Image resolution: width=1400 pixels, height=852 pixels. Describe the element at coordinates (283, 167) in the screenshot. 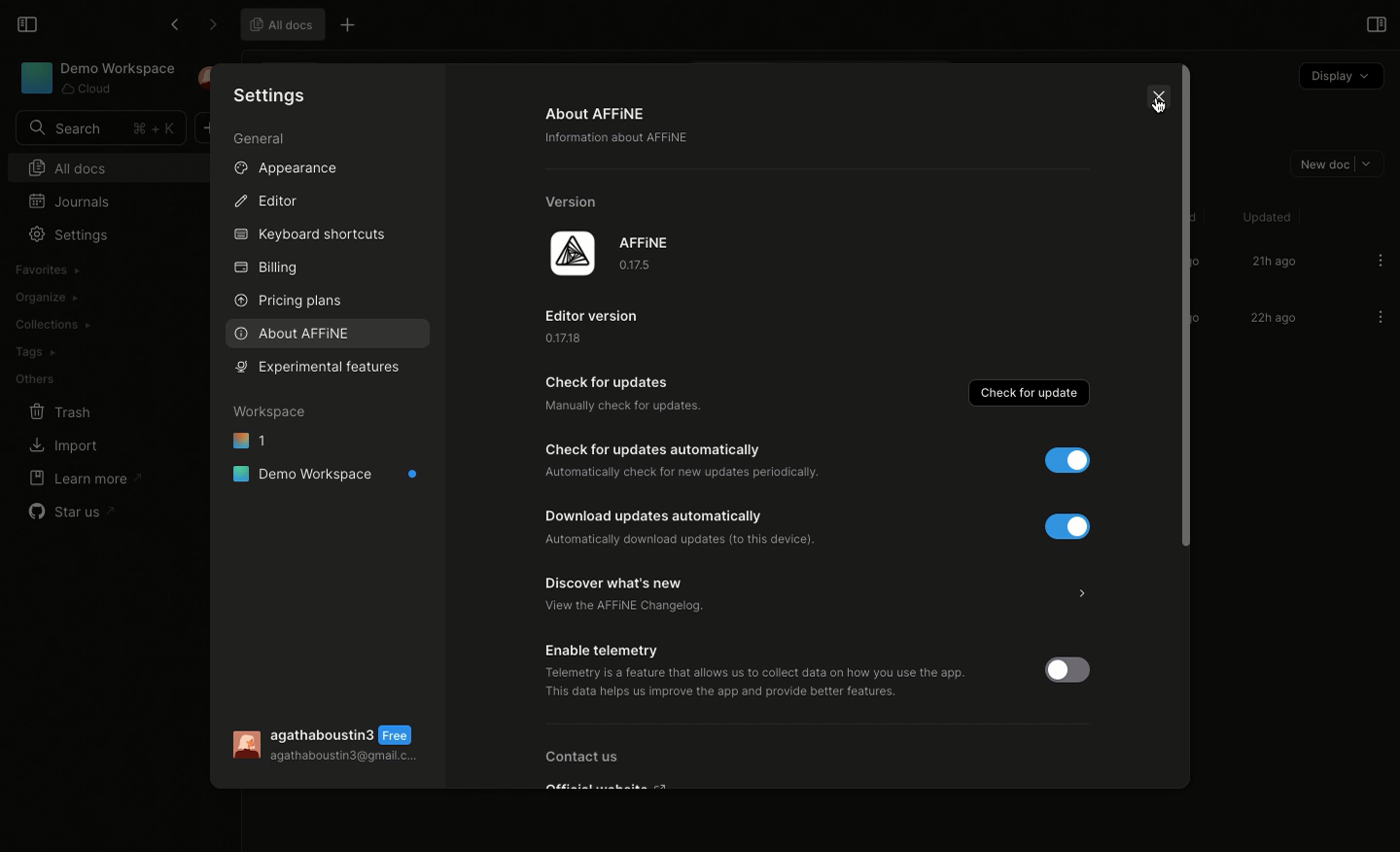

I see `Appearance` at that location.